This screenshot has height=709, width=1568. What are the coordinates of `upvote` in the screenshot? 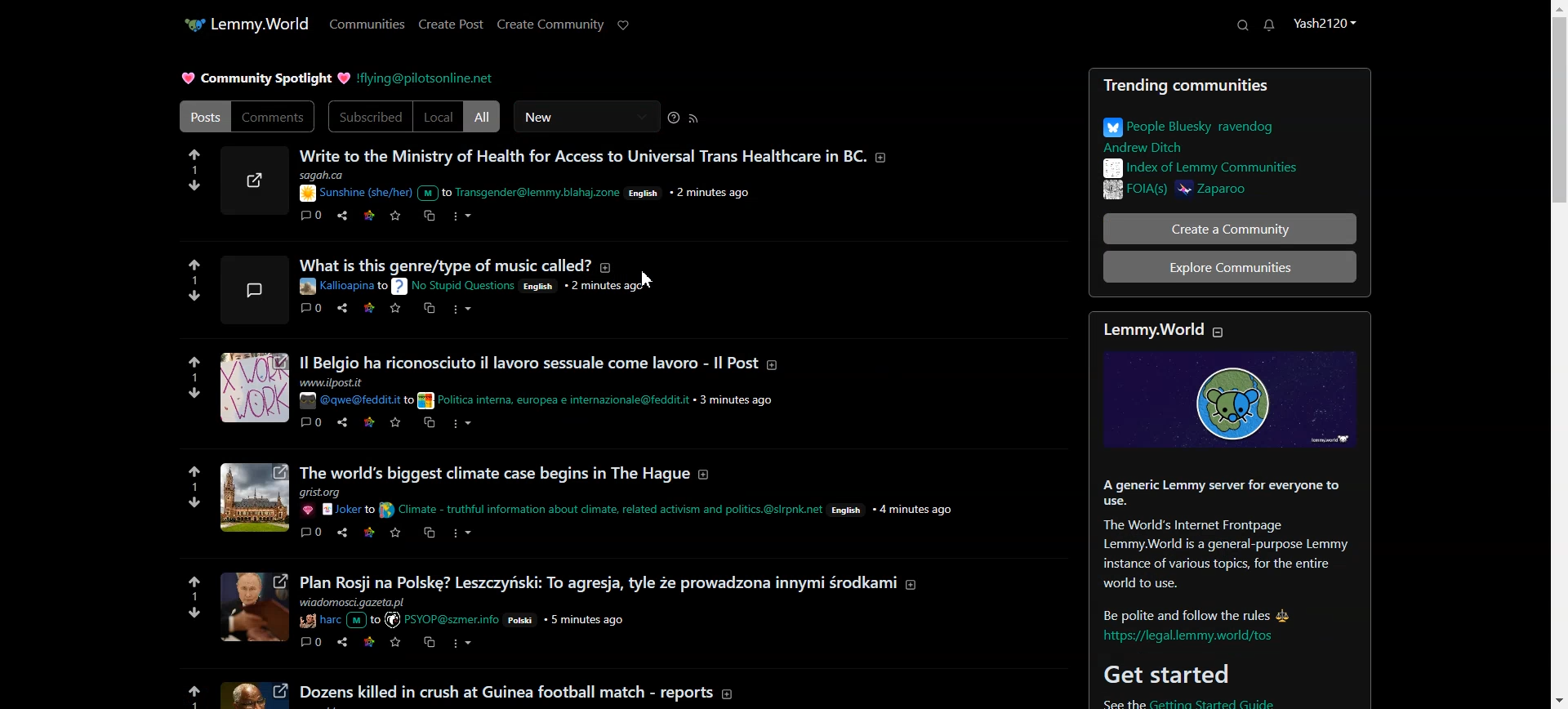 It's located at (196, 265).